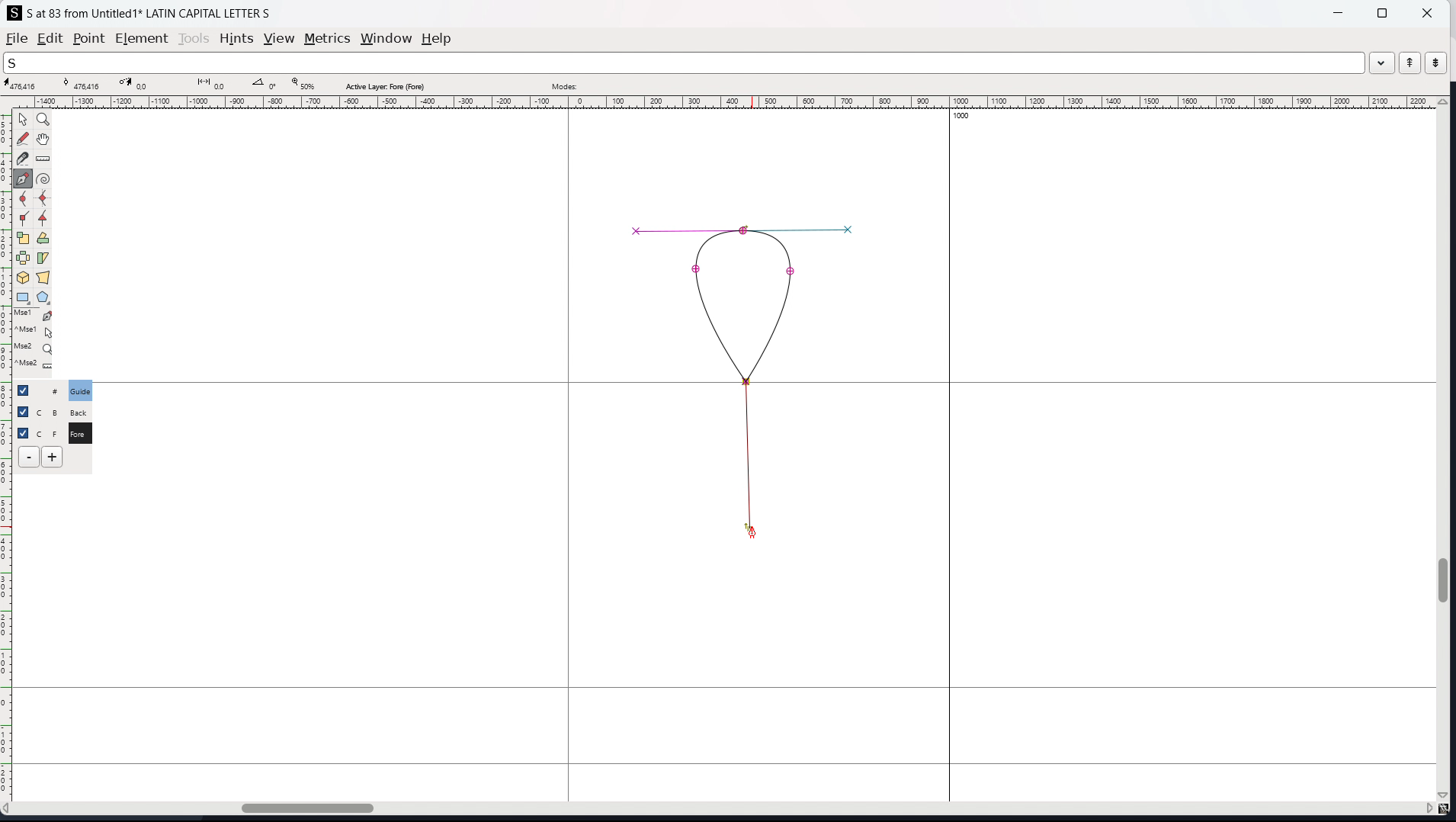 The image size is (1456, 822). Describe the element at coordinates (27, 390) in the screenshot. I see `checkbox` at that location.